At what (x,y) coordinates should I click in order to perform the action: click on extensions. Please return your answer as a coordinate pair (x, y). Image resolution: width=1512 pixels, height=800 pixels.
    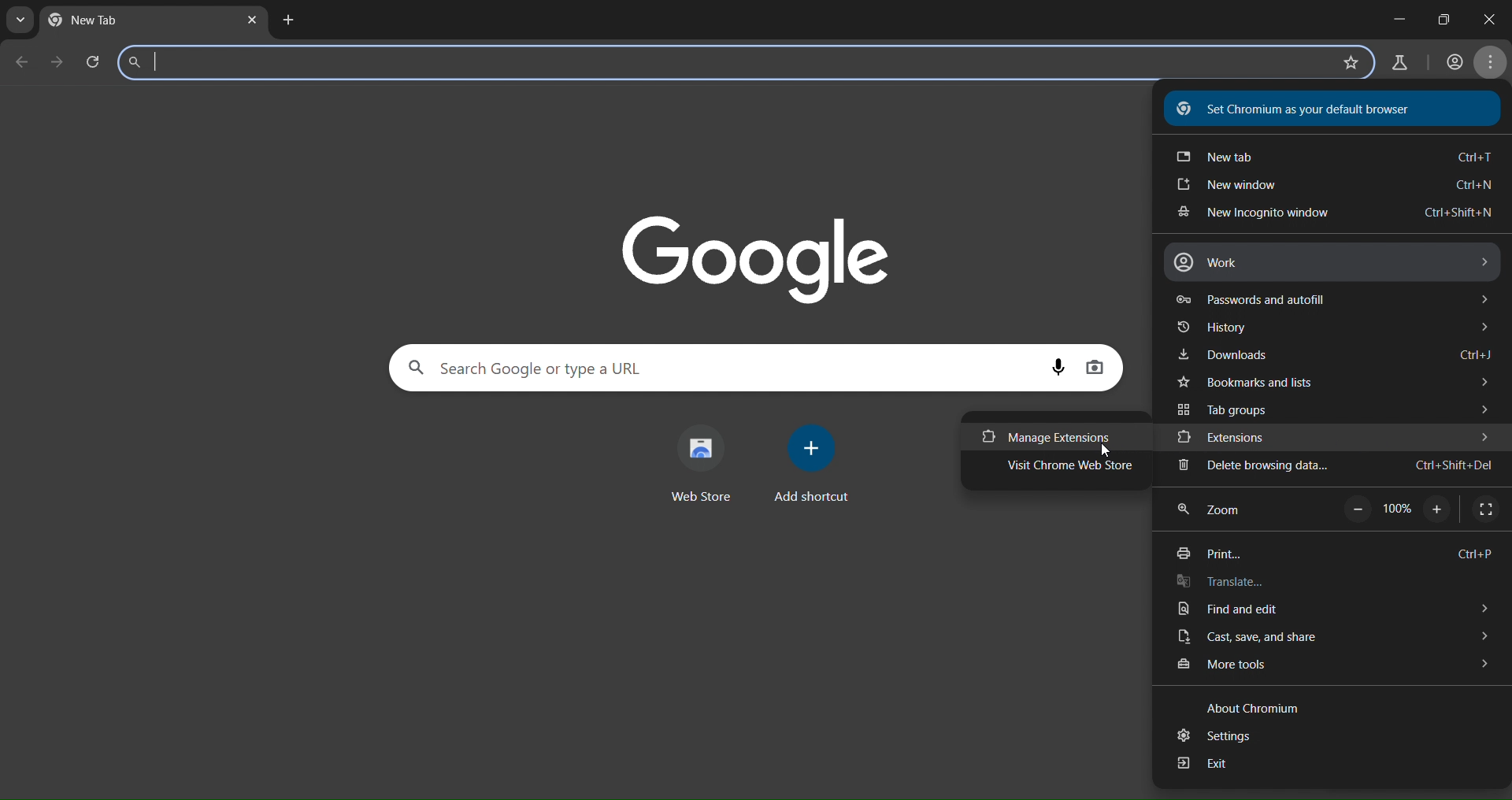
    Looking at the image, I should click on (1340, 435).